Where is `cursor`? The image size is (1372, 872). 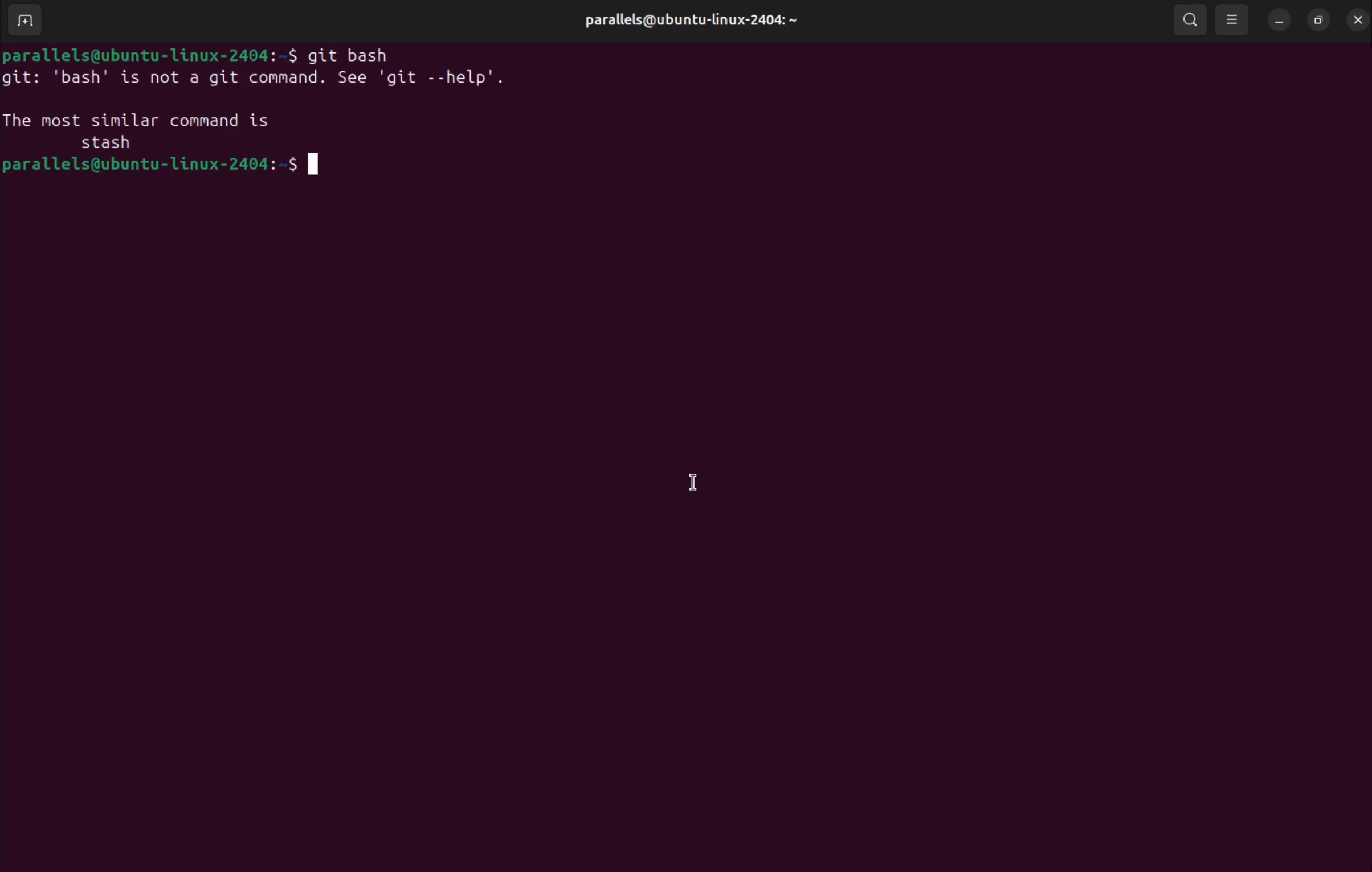 cursor is located at coordinates (696, 486).